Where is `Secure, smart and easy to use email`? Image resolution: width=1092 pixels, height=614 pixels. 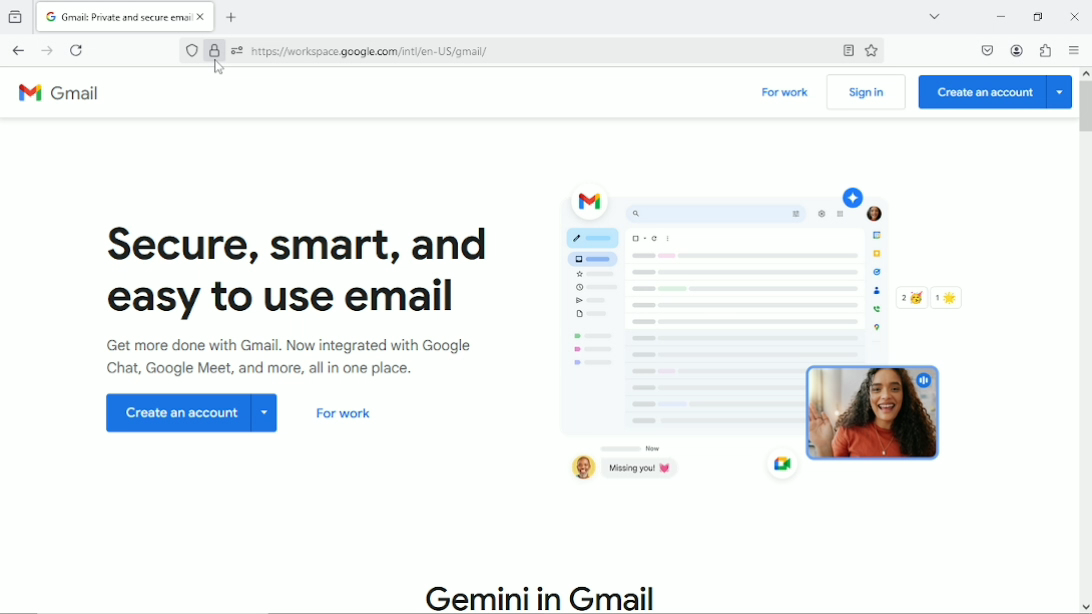
Secure, smart and easy to use email is located at coordinates (301, 269).